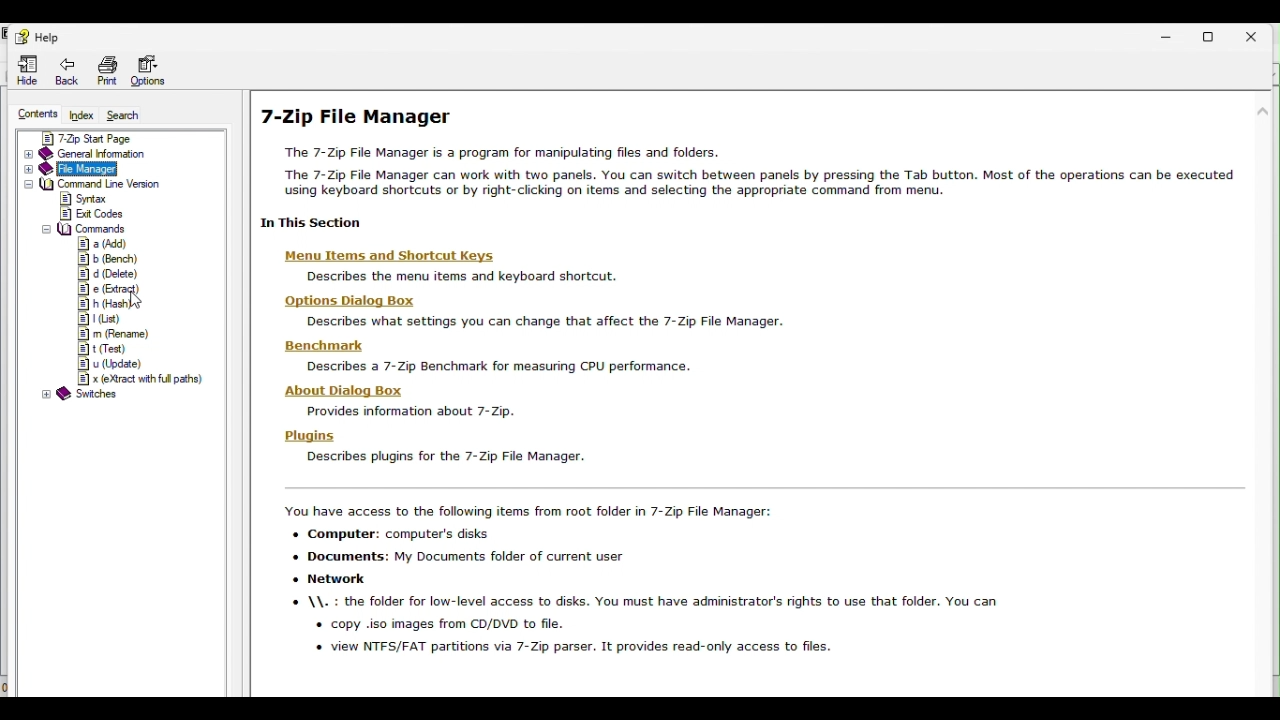  I want to click on mouse, so click(137, 298).